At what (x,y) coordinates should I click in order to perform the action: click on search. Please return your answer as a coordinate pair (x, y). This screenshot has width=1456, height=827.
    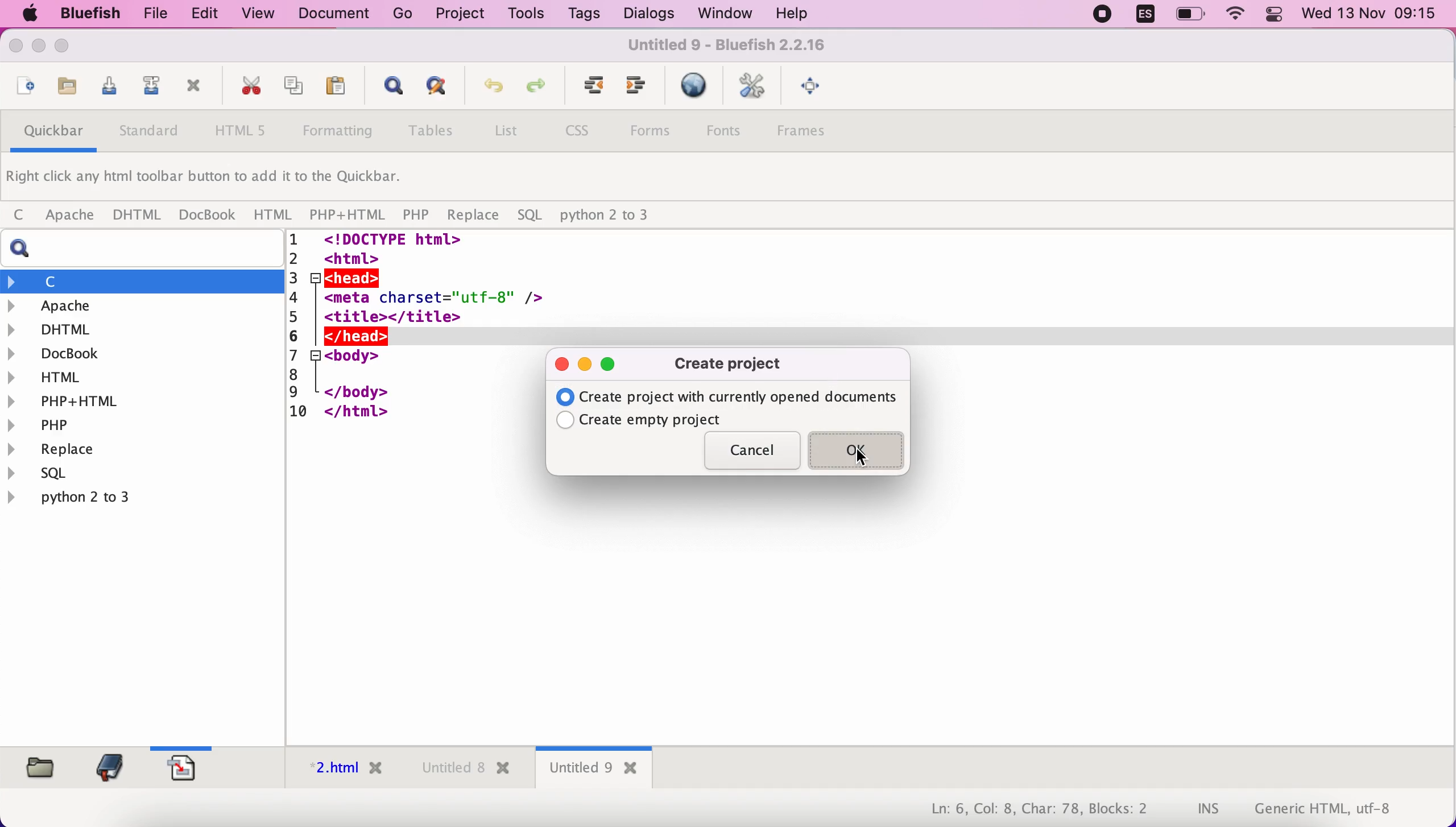
    Looking at the image, I should click on (147, 249).